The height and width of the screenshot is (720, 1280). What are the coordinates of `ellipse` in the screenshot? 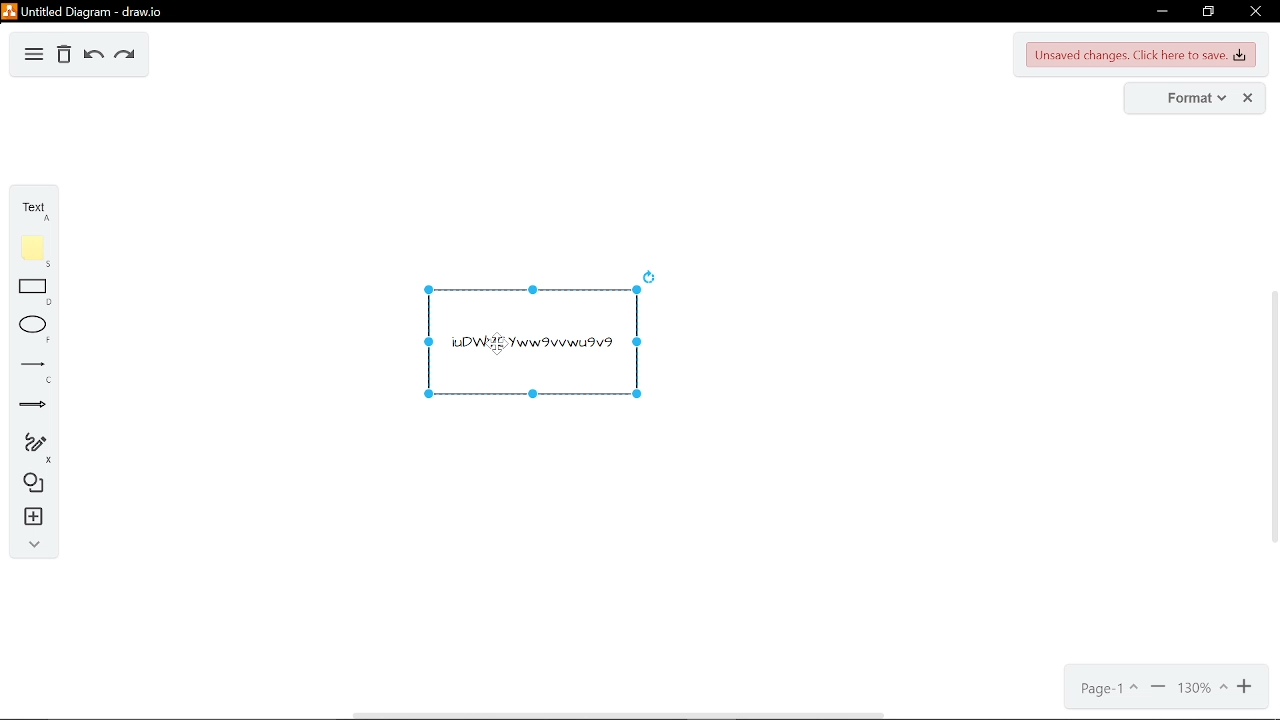 It's located at (29, 327).